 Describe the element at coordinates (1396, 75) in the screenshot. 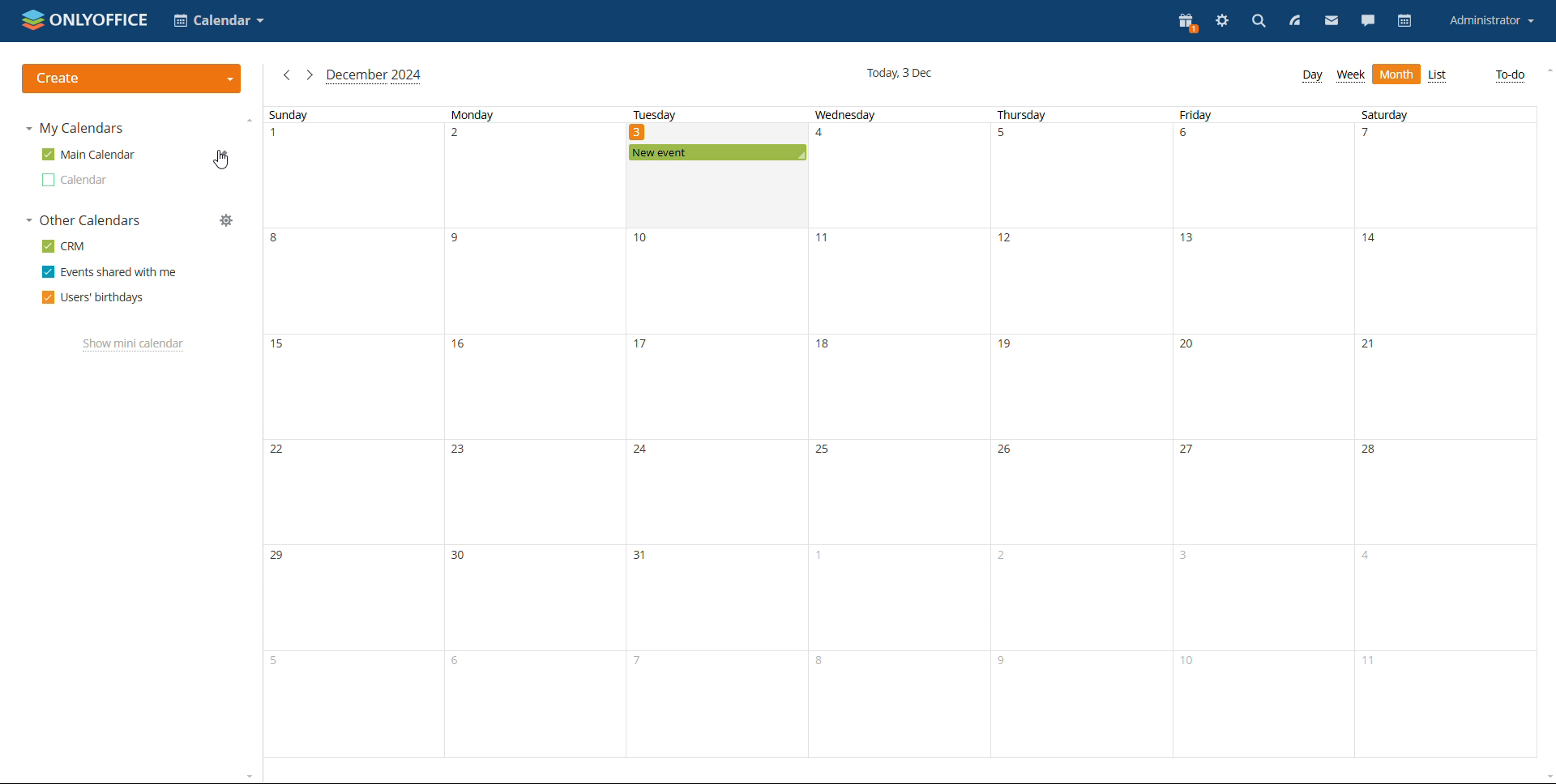

I see `month view` at that location.